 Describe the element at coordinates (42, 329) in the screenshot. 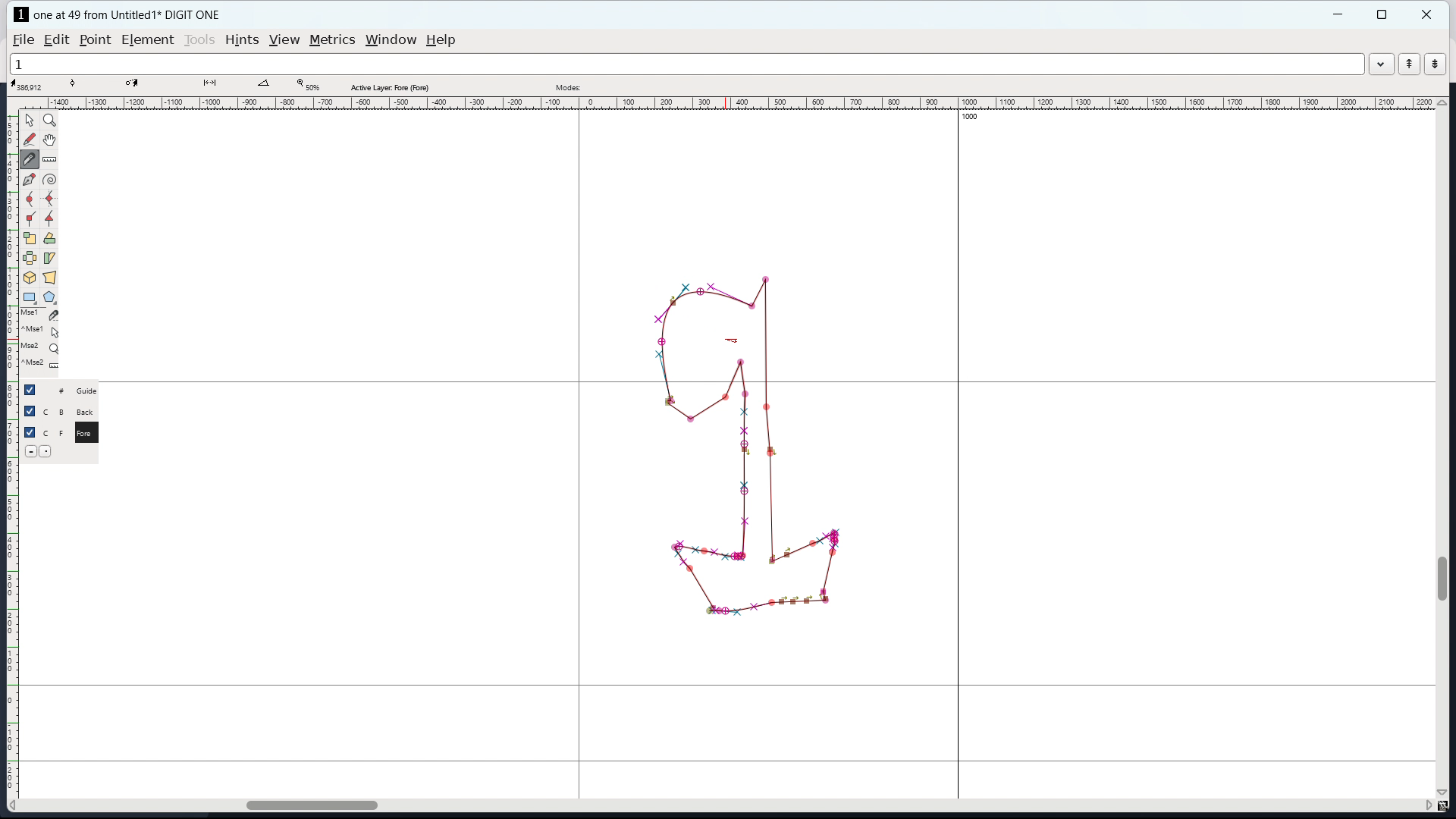

I see `^mse1` at that location.